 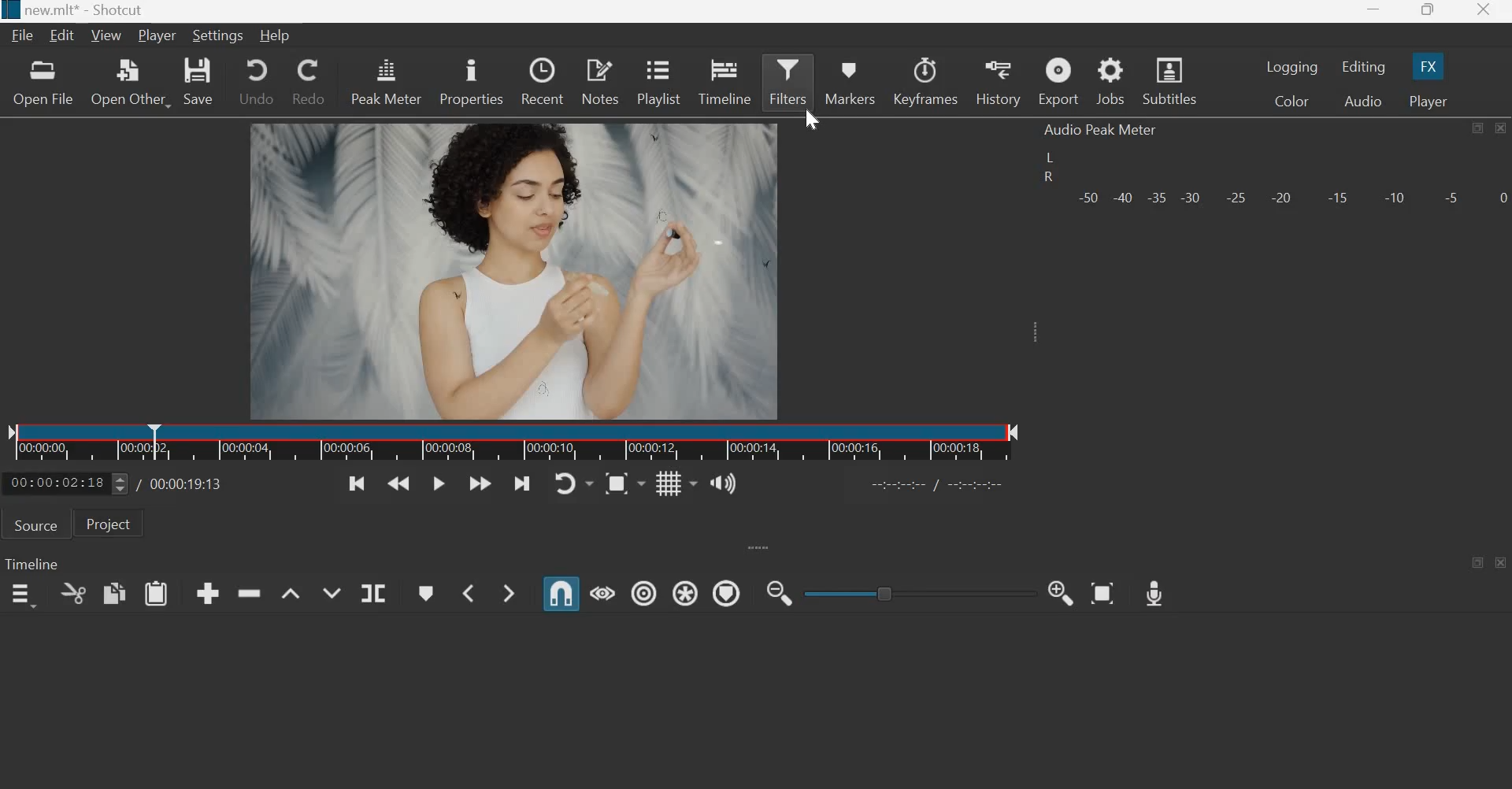 What do you see at coordinates (600, 81) in the screenshot?
I see `Notes` at bounding box center [600, 81].